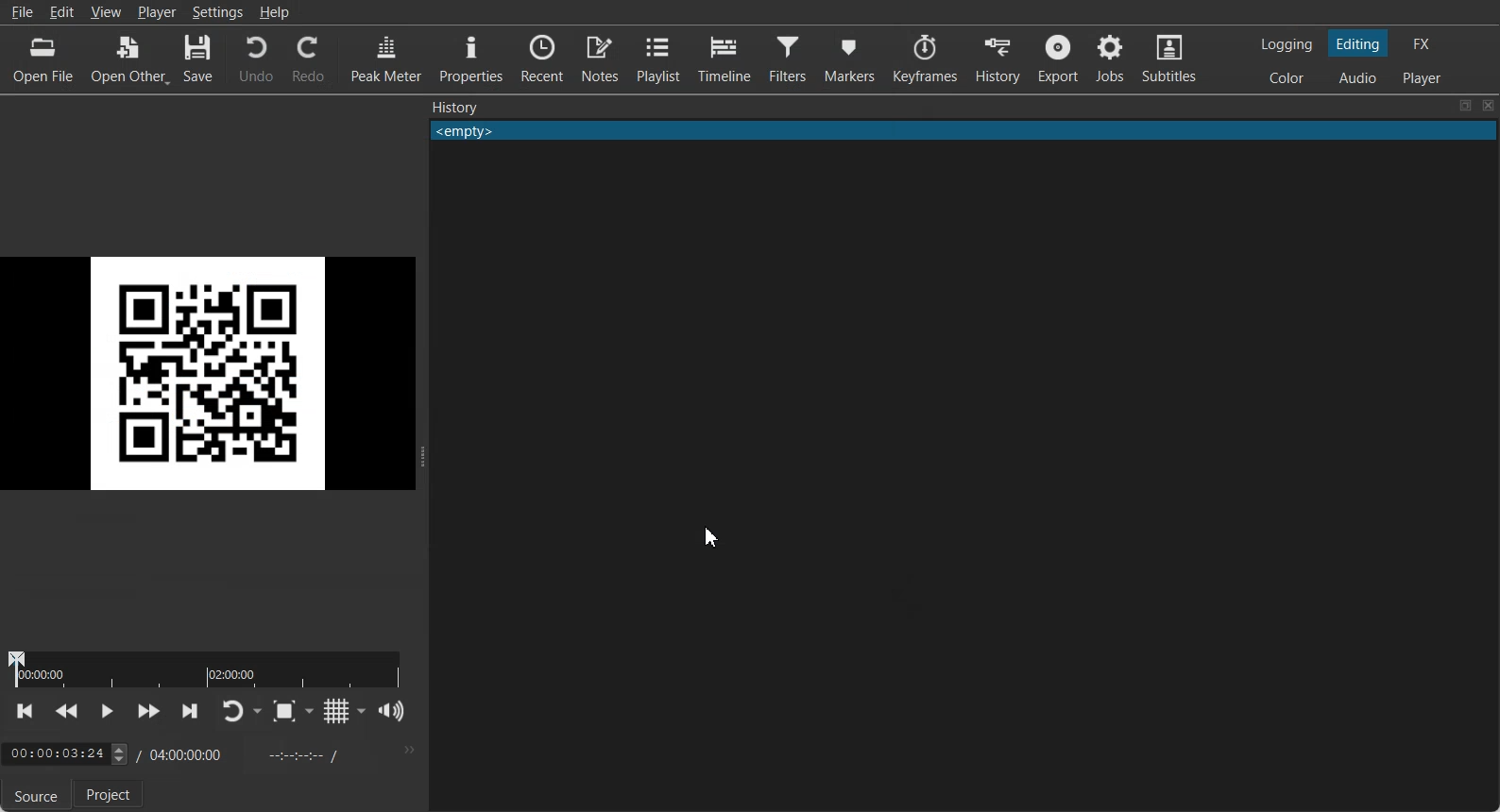 Image resolution: width=1500 pixels, height=812 pixels. Describe the element at coordinates (22, 13) in the screenshot. I see `File` at that location.